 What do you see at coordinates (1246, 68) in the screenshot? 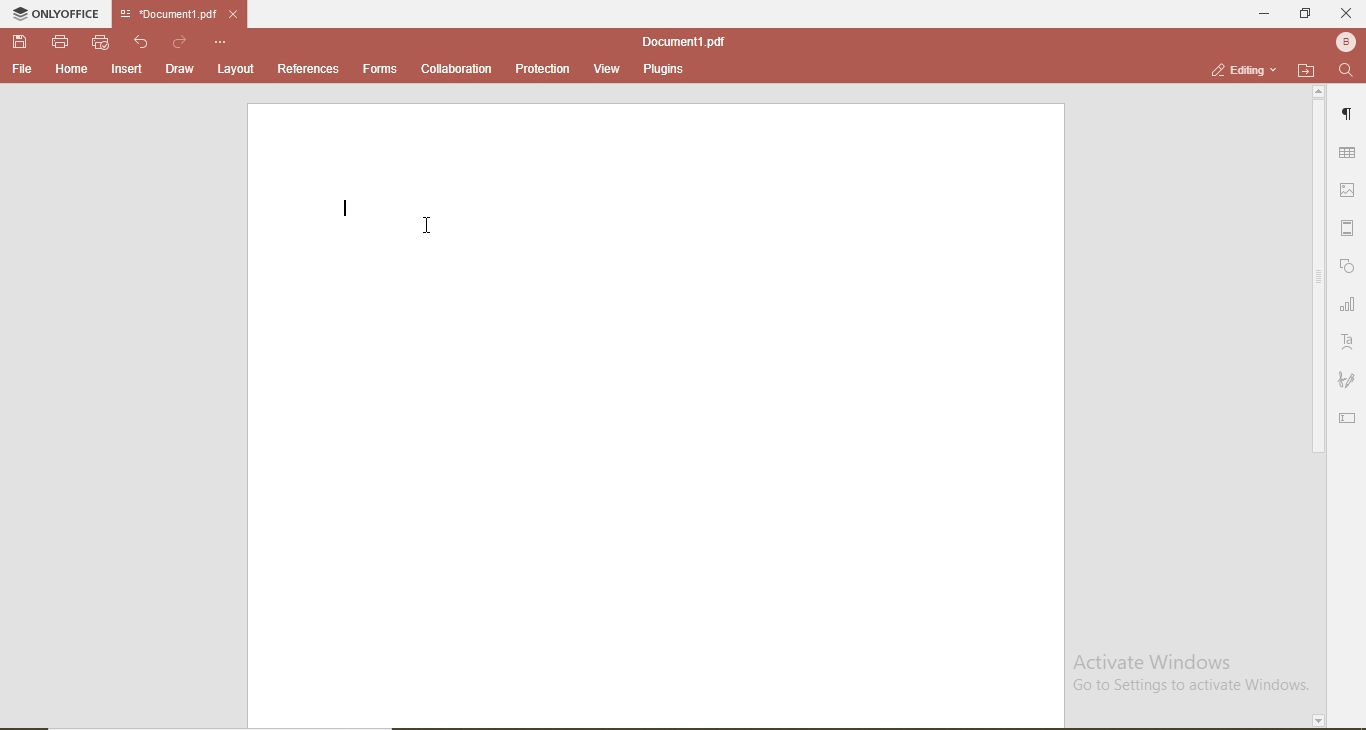
I see `editing` at bounding box center [1246, 68].